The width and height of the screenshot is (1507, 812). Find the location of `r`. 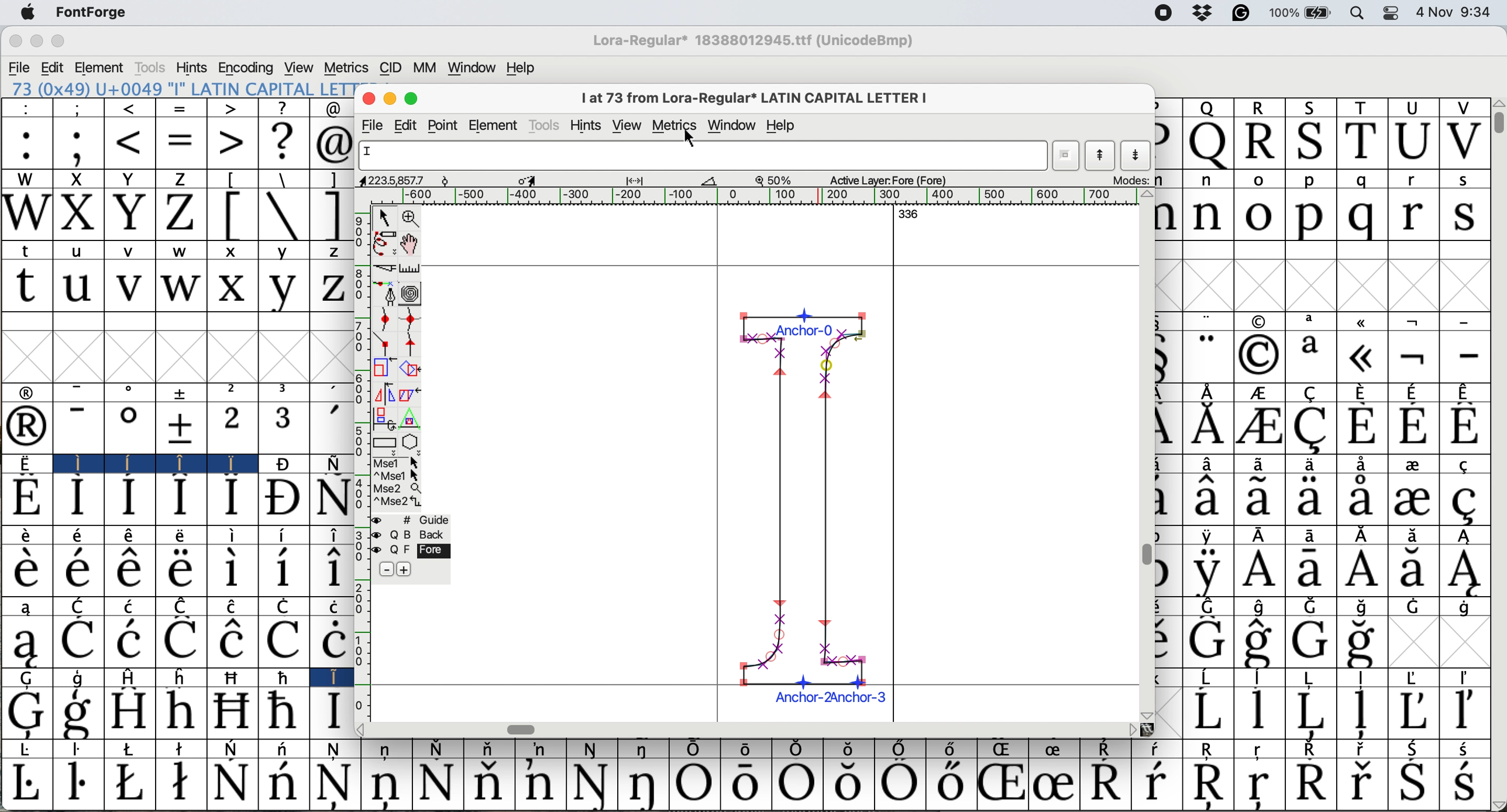

r is located at coordinates (1412, 215).